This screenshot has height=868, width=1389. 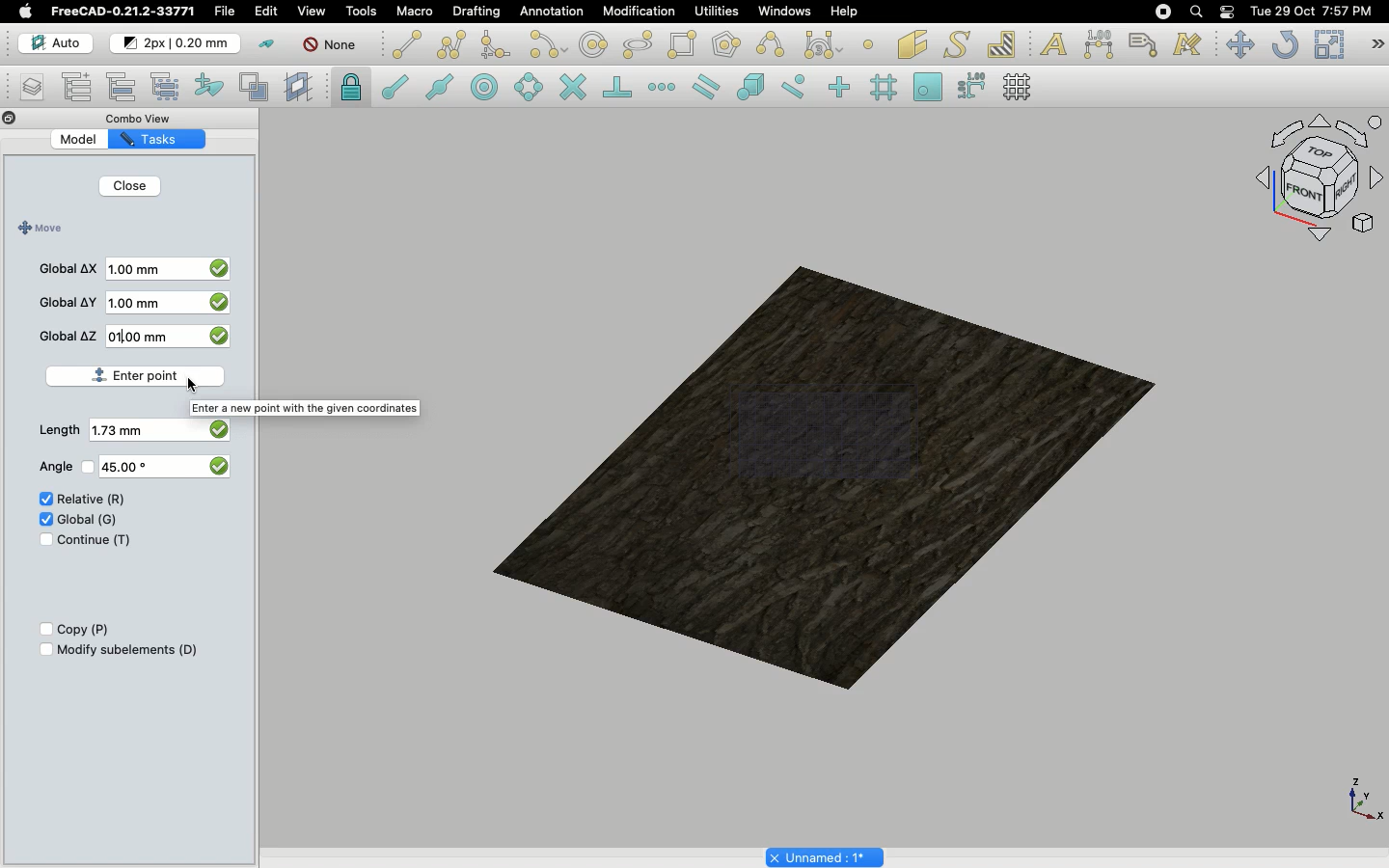 I want to click on Selecting edit, so click(x=270, y=13).